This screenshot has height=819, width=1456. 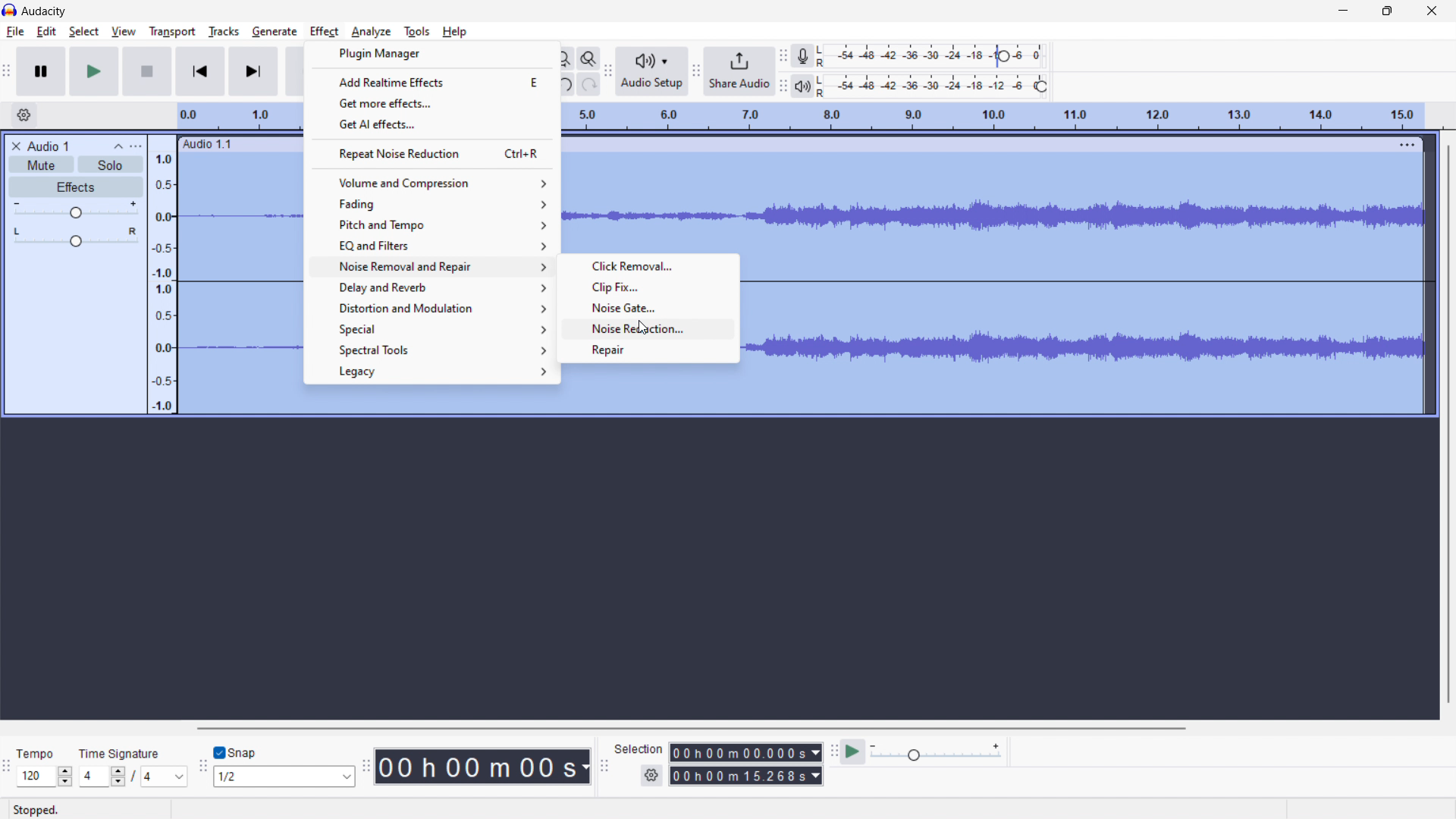 I want to click on select, so click(x=84, y=32).